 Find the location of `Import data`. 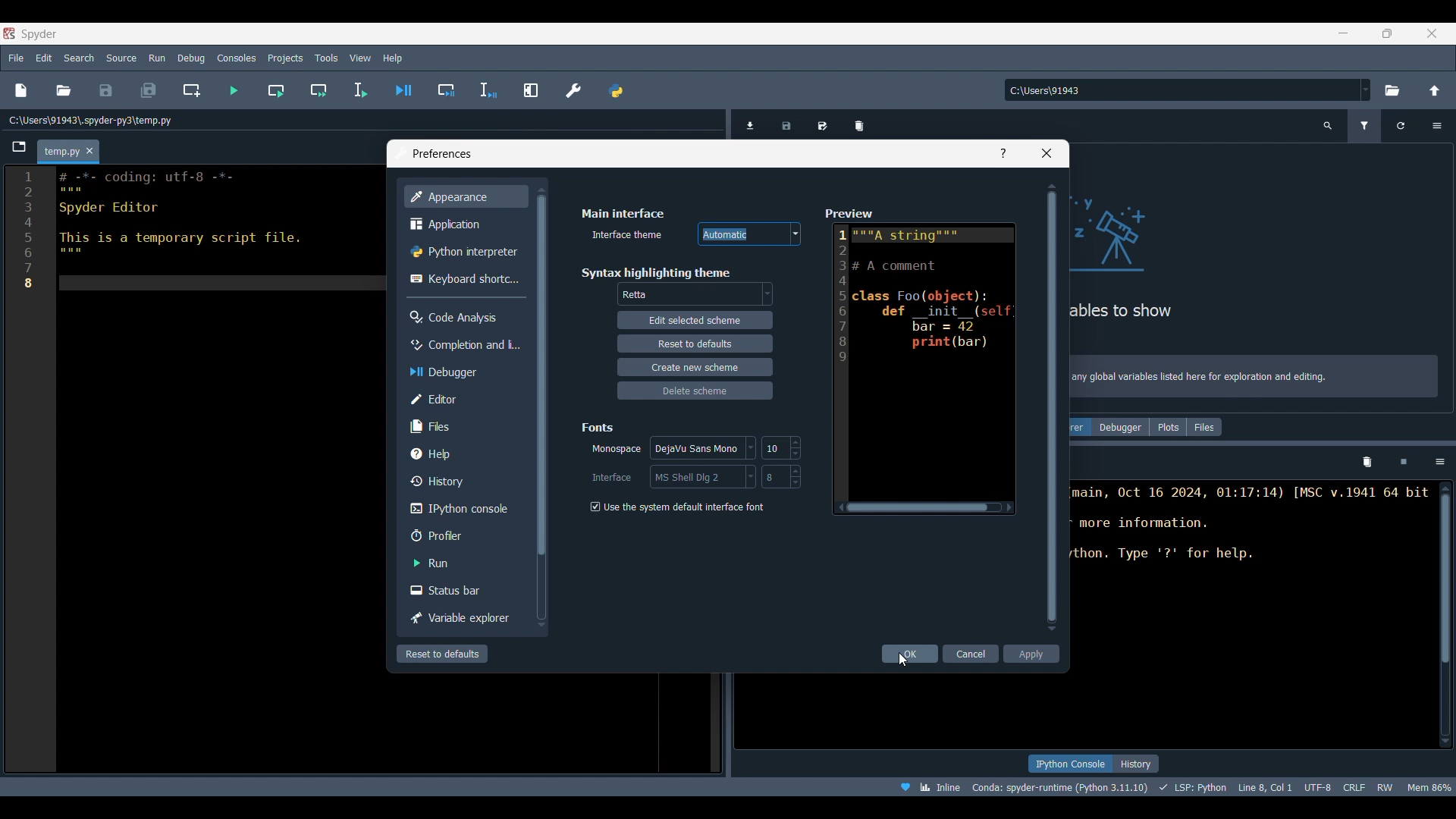

Import data is located at coordinates (753, 124).